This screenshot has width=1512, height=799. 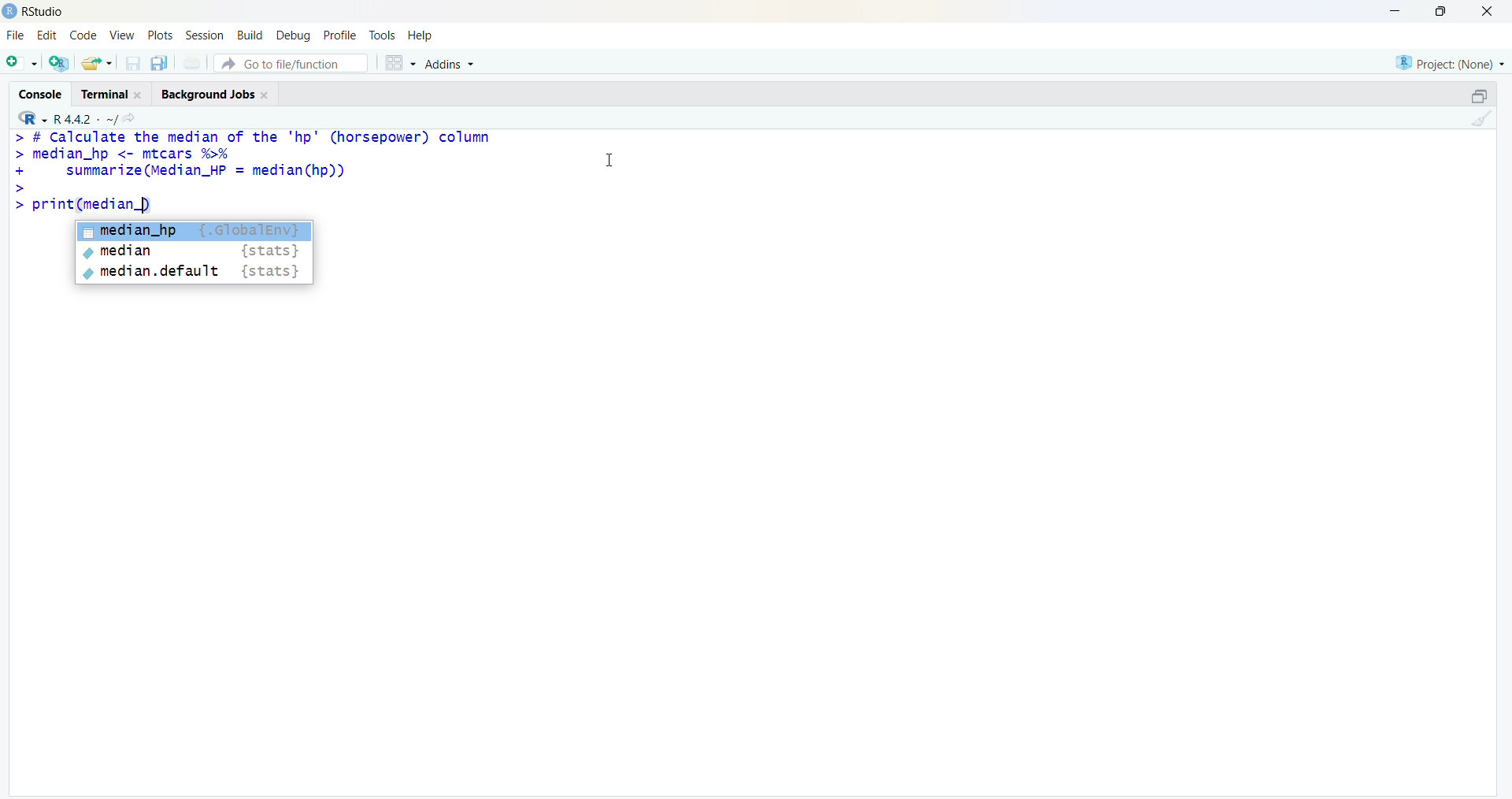 What do you see at coordinates (46, 12) in the screenshot?
I see `RStudio` at bounding box center [46, 12].